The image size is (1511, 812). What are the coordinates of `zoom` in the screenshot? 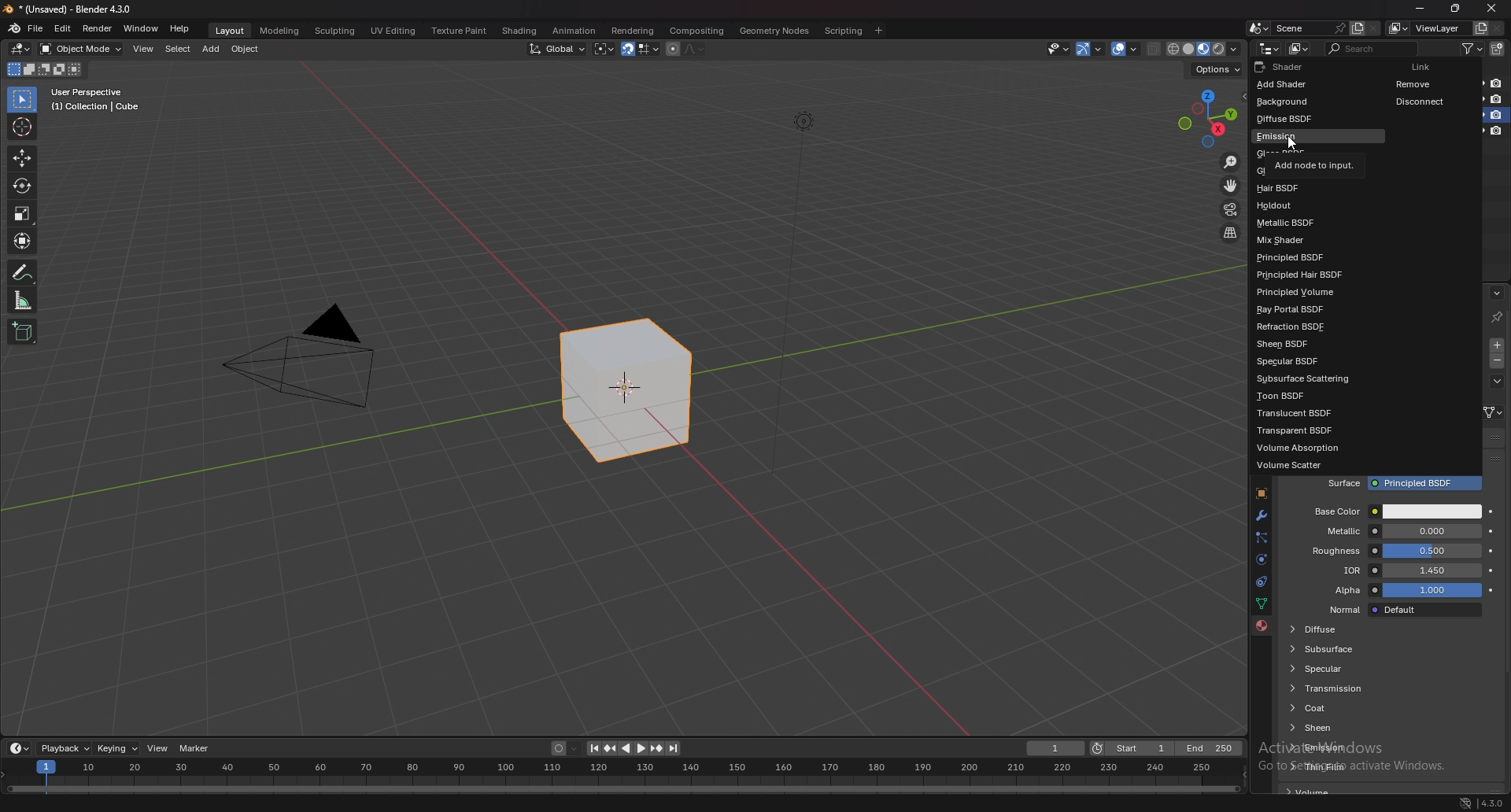 It's located at (1231, 164).